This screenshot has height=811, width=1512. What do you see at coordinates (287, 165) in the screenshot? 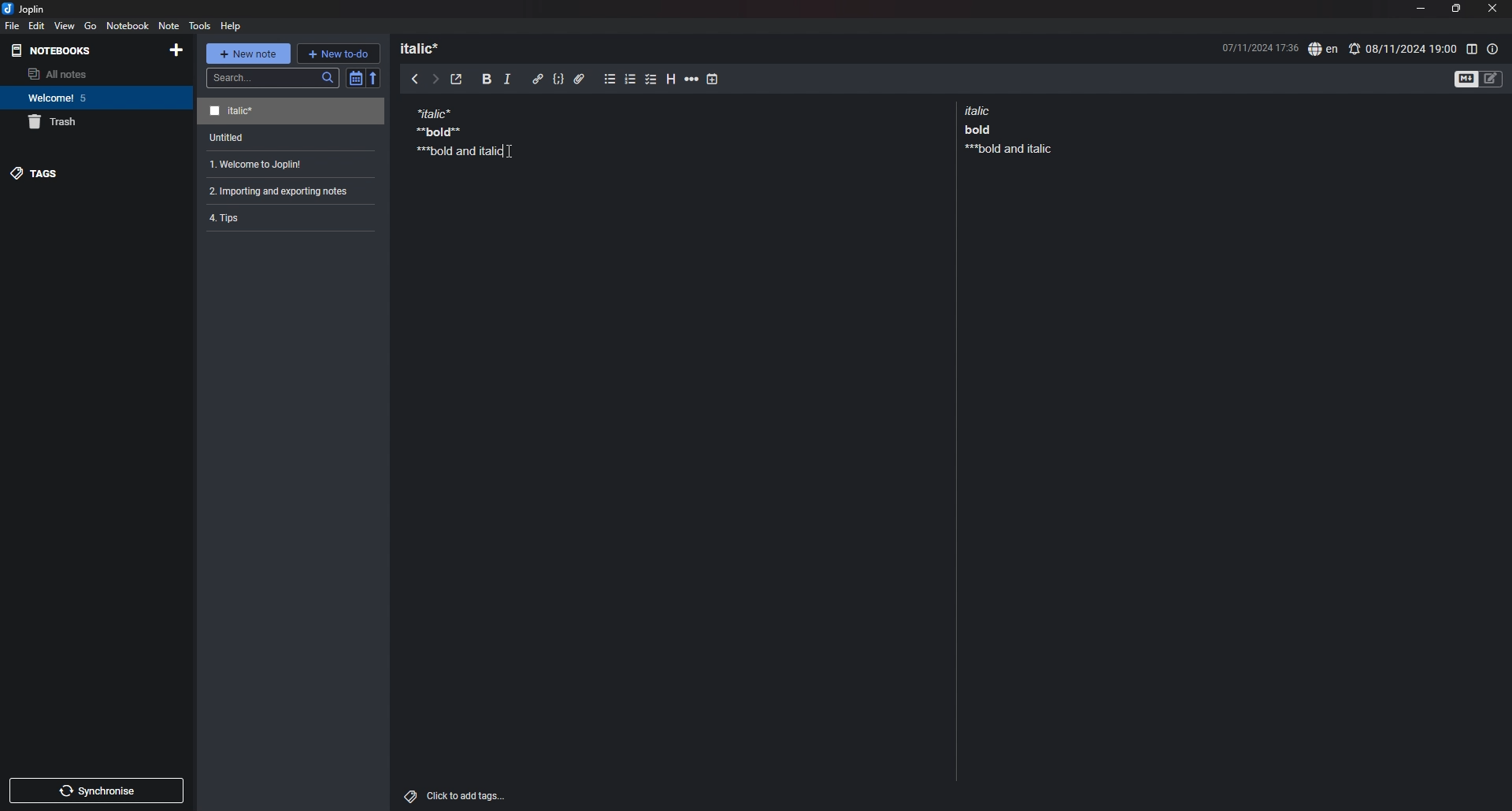
I see `note` at bounding box center [287, 165].